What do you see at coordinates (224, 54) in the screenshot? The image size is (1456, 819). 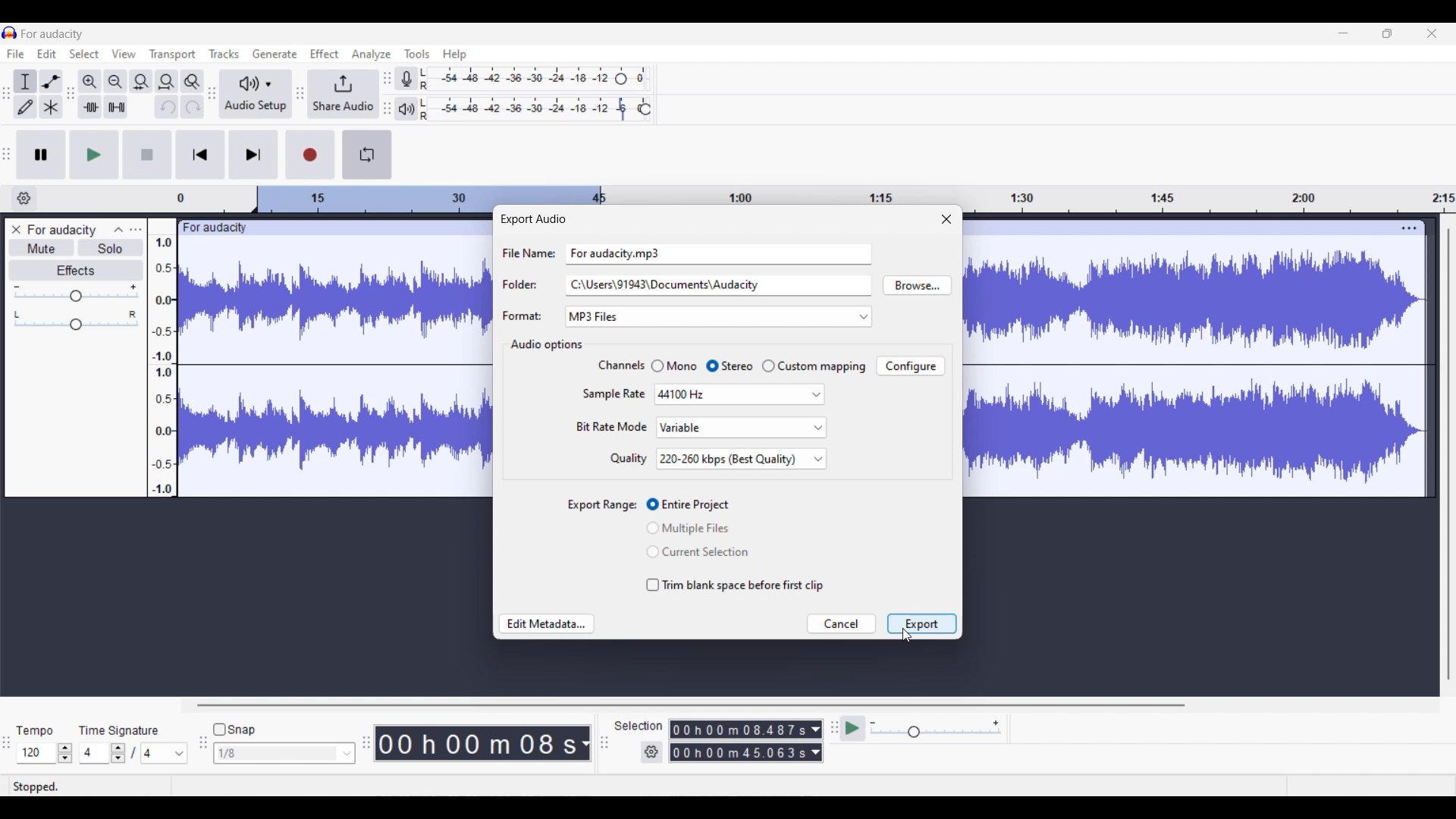 I see `Tracks menu` at bounding box center [224, 54].